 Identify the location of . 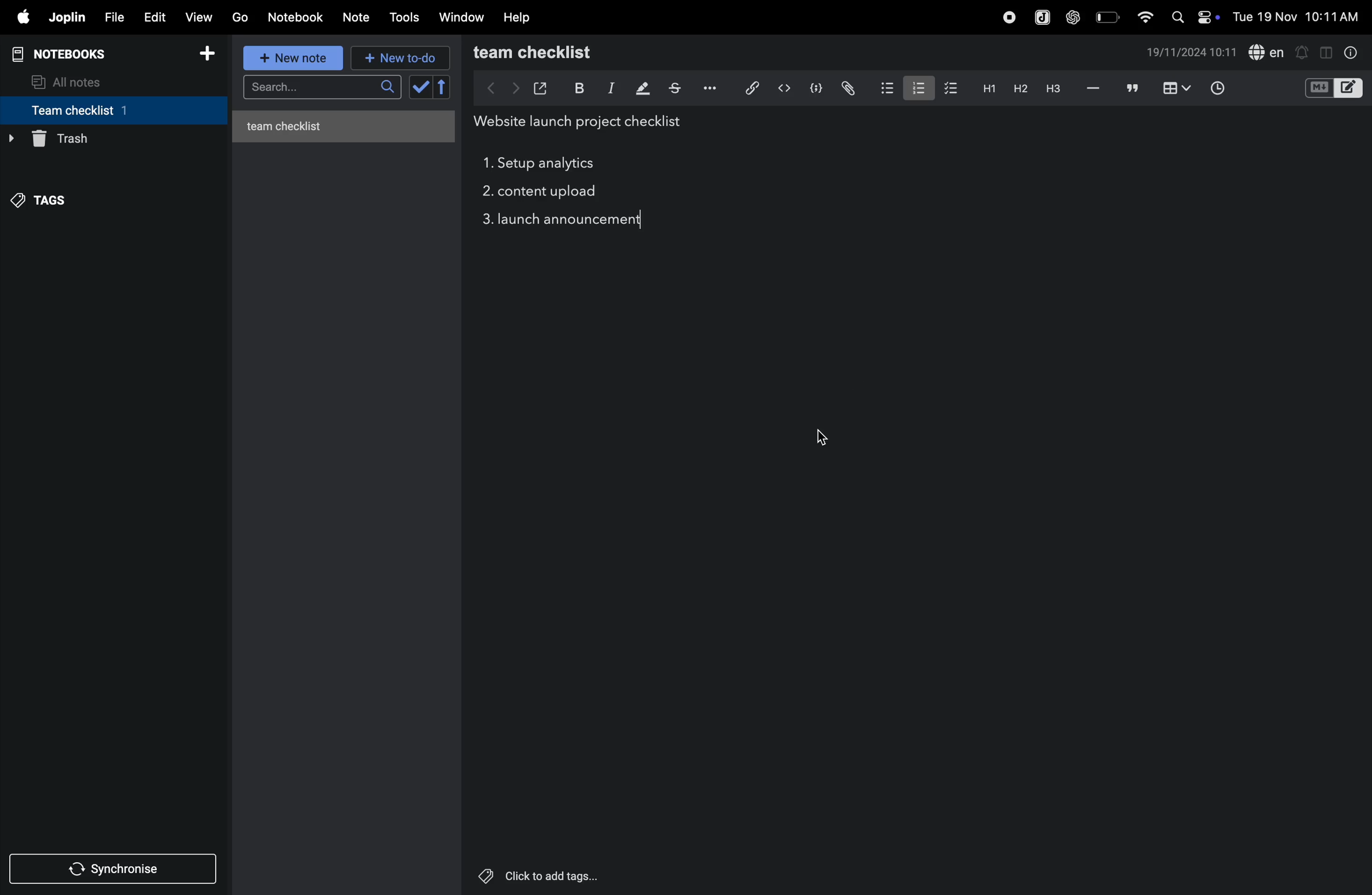
(553, 876).